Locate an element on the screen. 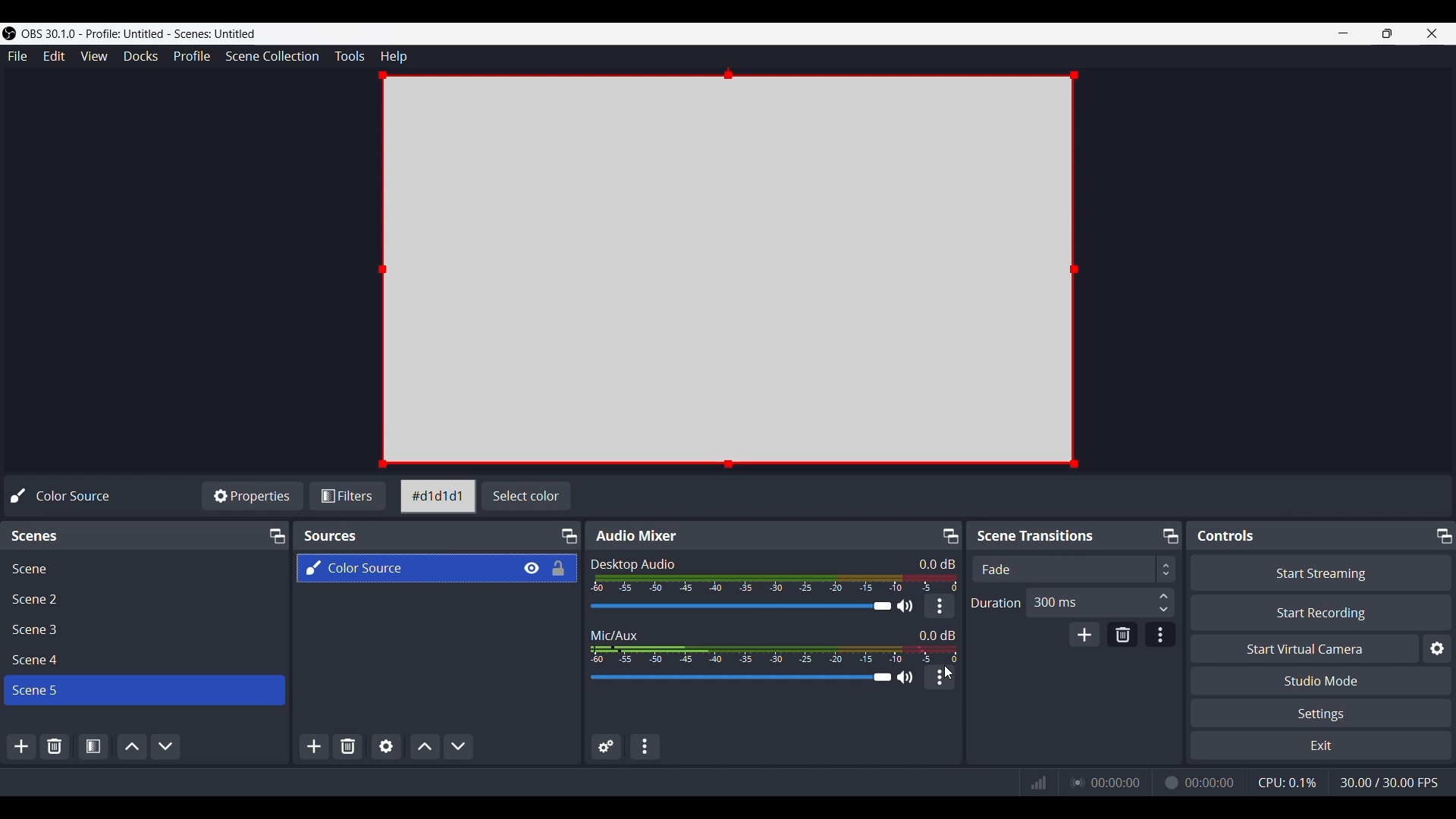 The height and width of the screenshot is (819, 1456). Scene File is located at coordinates (141, 630).